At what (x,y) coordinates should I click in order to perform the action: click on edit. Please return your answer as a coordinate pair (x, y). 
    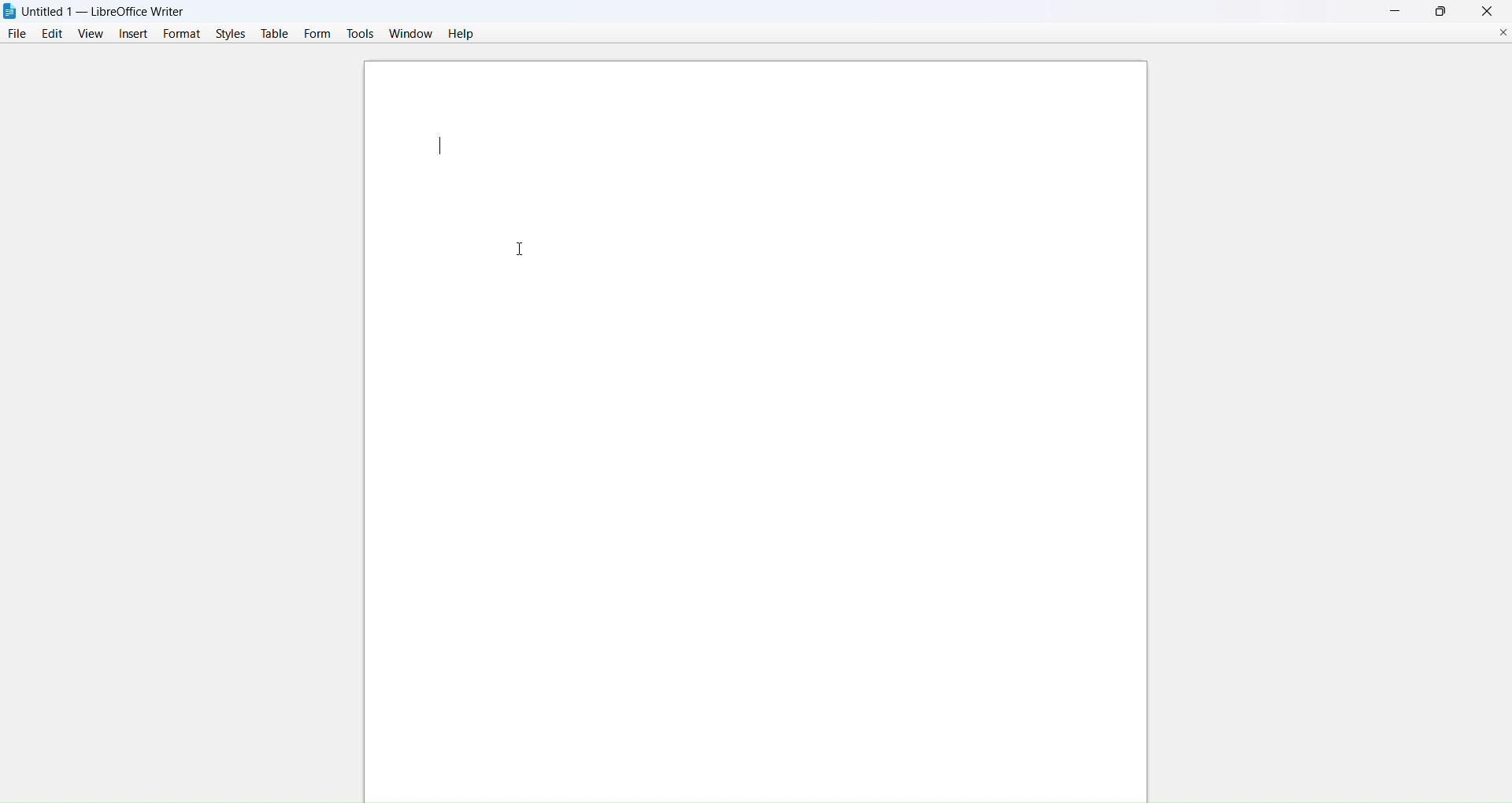
    Looking at the image, I should click on (54, 33).